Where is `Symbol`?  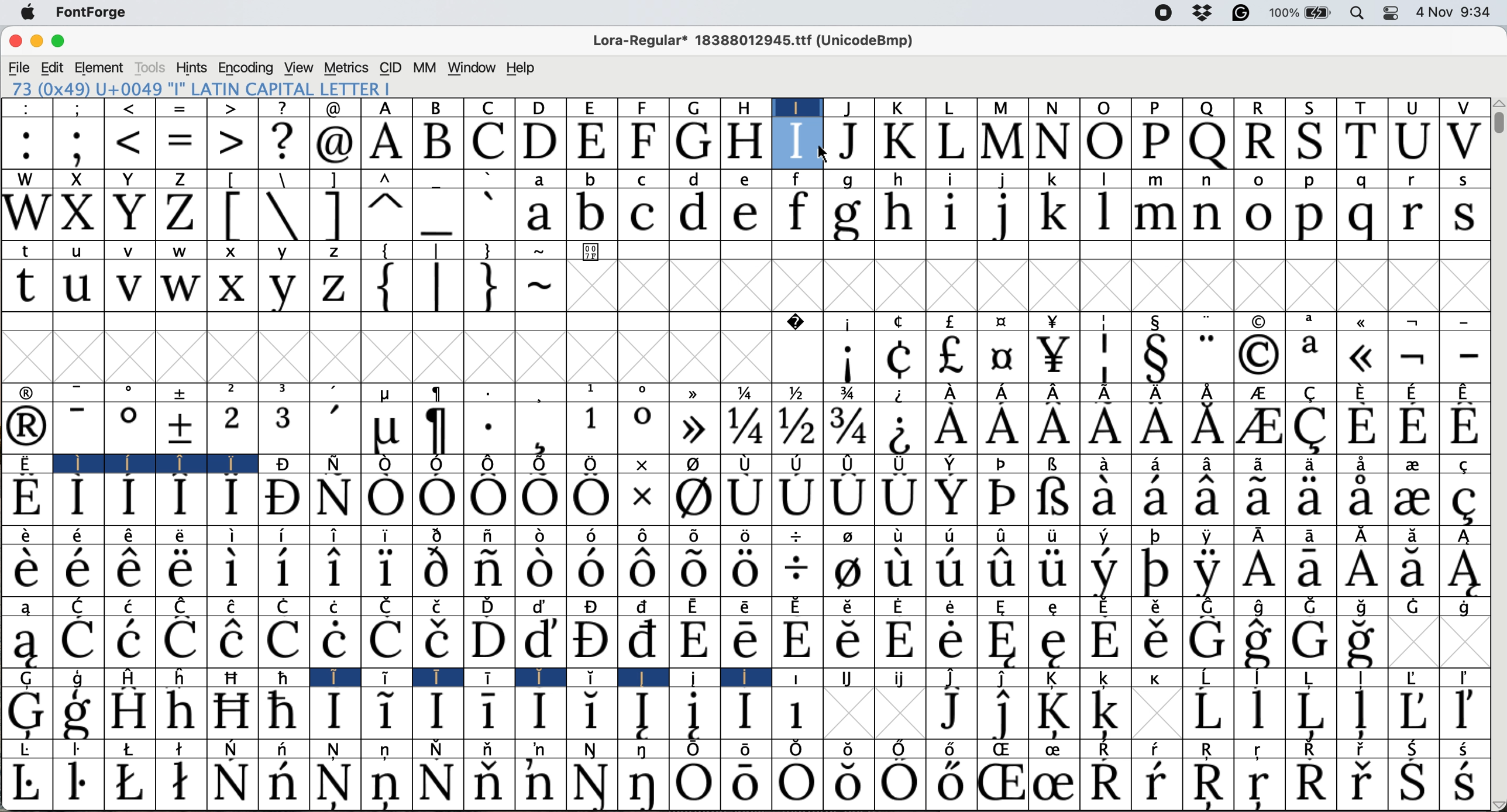
Symbol is located at coordinates (1107, 534).